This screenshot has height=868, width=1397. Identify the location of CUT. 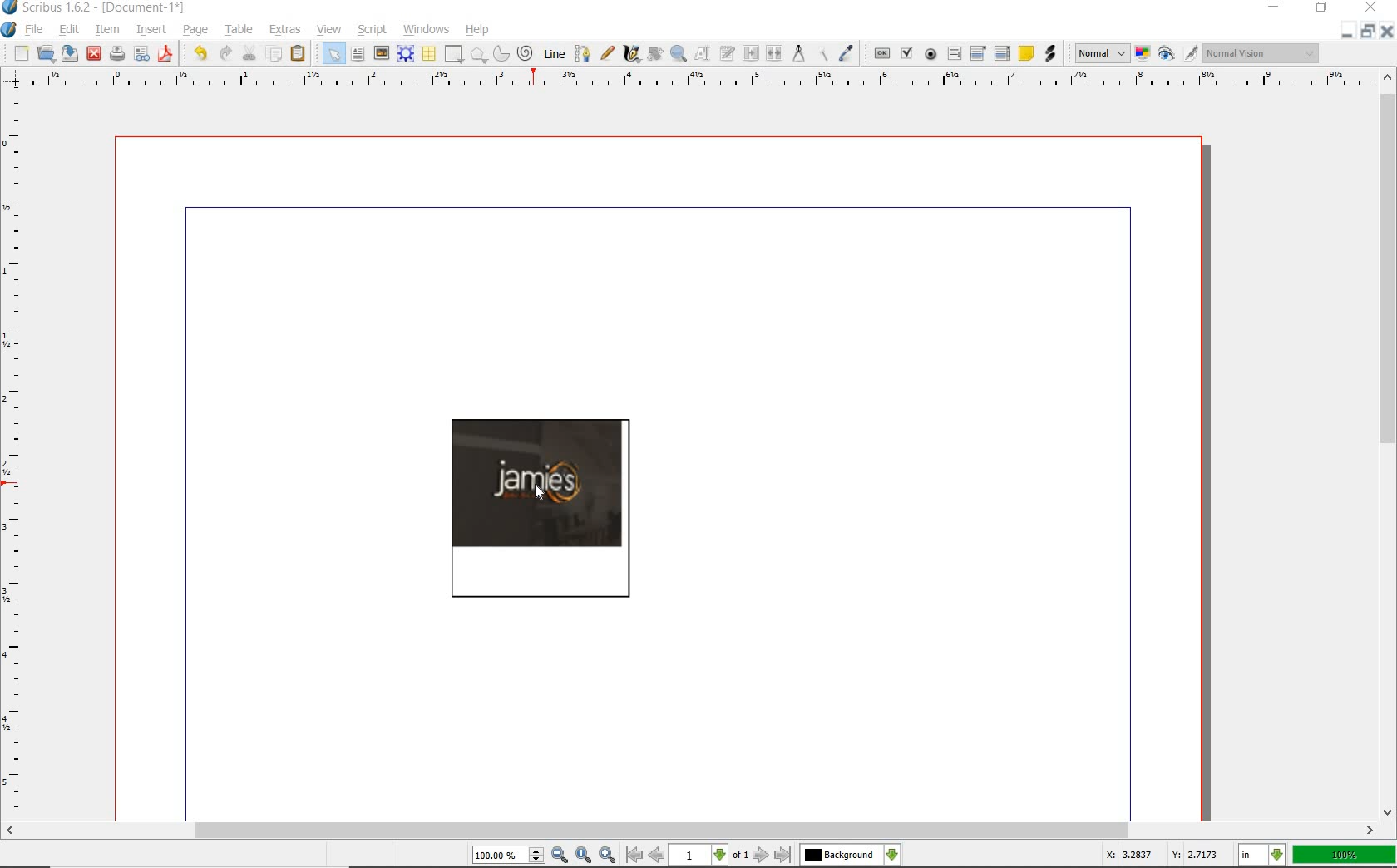
(249, 54).